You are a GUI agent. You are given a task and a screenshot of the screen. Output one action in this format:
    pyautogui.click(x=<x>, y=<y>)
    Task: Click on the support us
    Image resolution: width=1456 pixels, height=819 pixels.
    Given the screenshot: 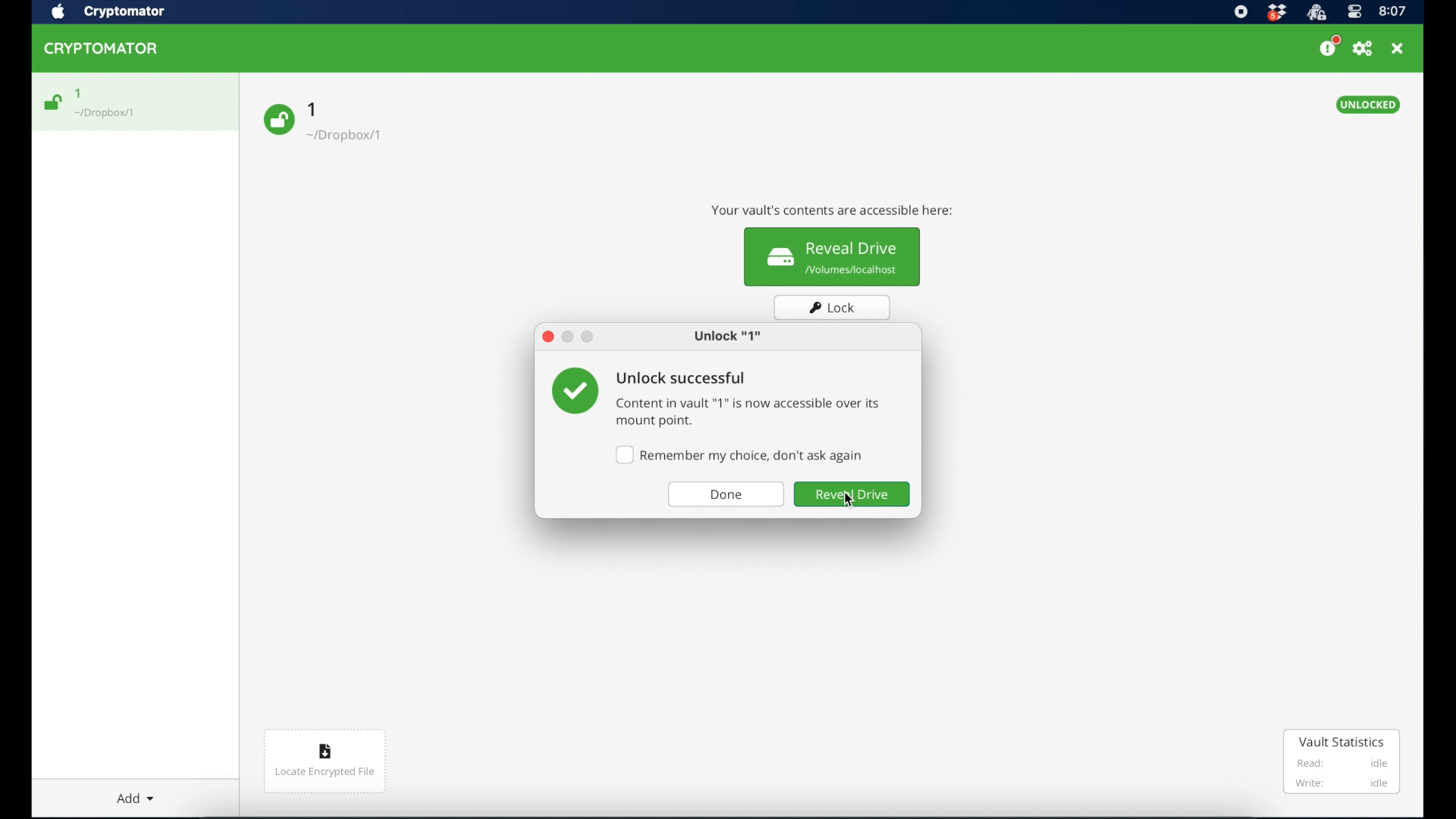 What is the action you would take?
    pyautogui.click(x=1329, y=46)
    